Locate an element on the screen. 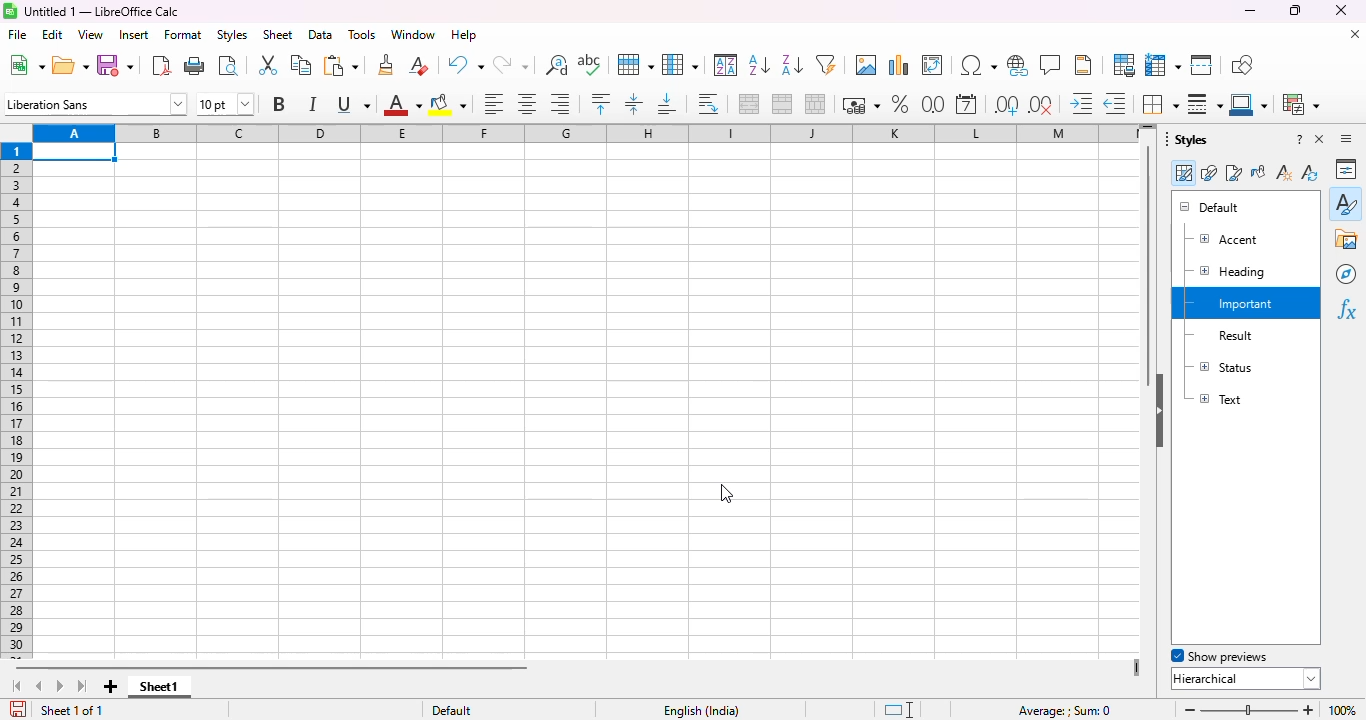  styles is located at coordinates (231, 35).